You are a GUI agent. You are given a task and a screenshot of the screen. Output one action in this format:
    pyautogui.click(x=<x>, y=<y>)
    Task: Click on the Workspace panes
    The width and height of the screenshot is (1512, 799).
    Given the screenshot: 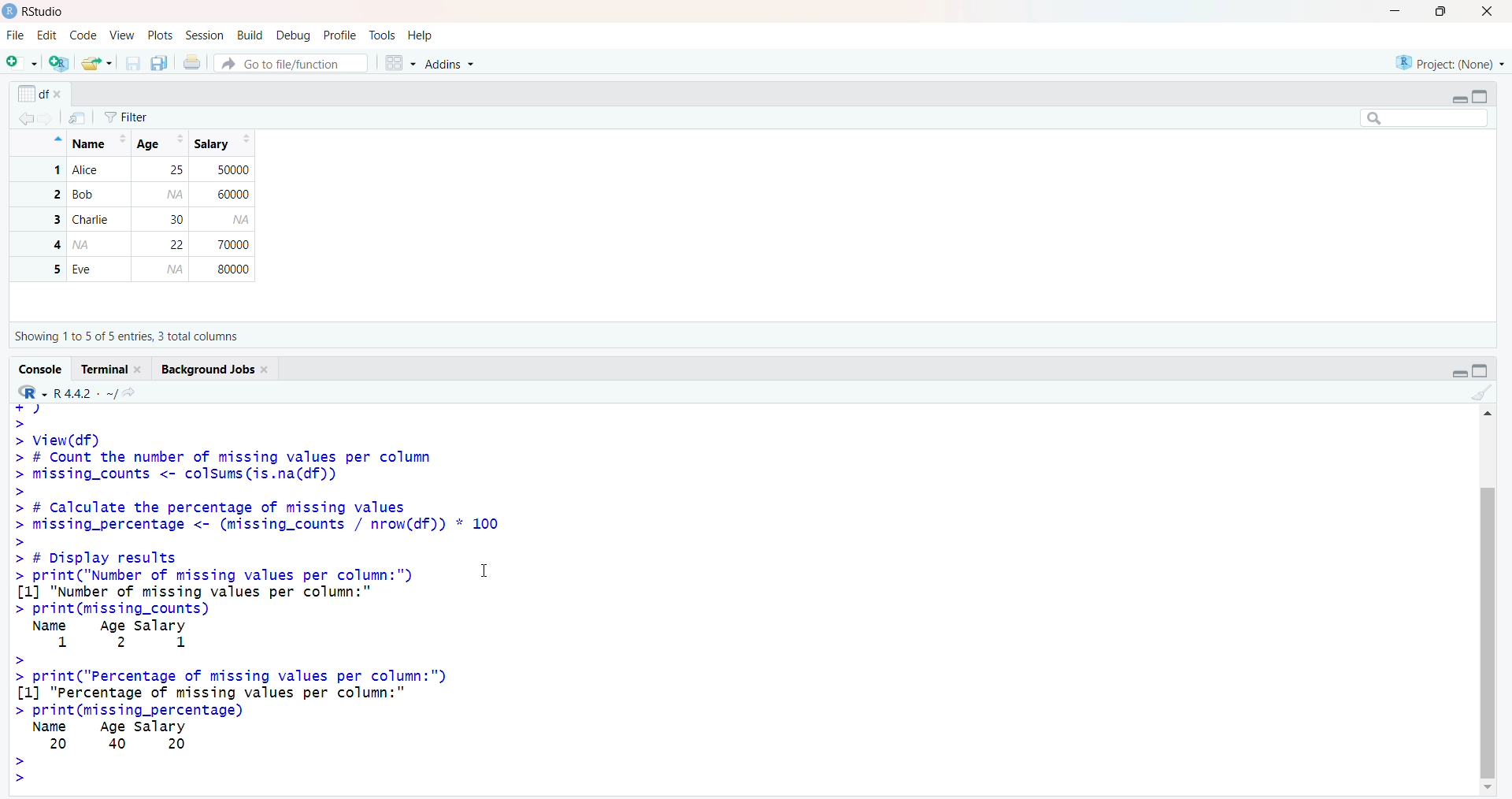 What is the action you would take?
    pyautogui.click(x=399, y=63)
    